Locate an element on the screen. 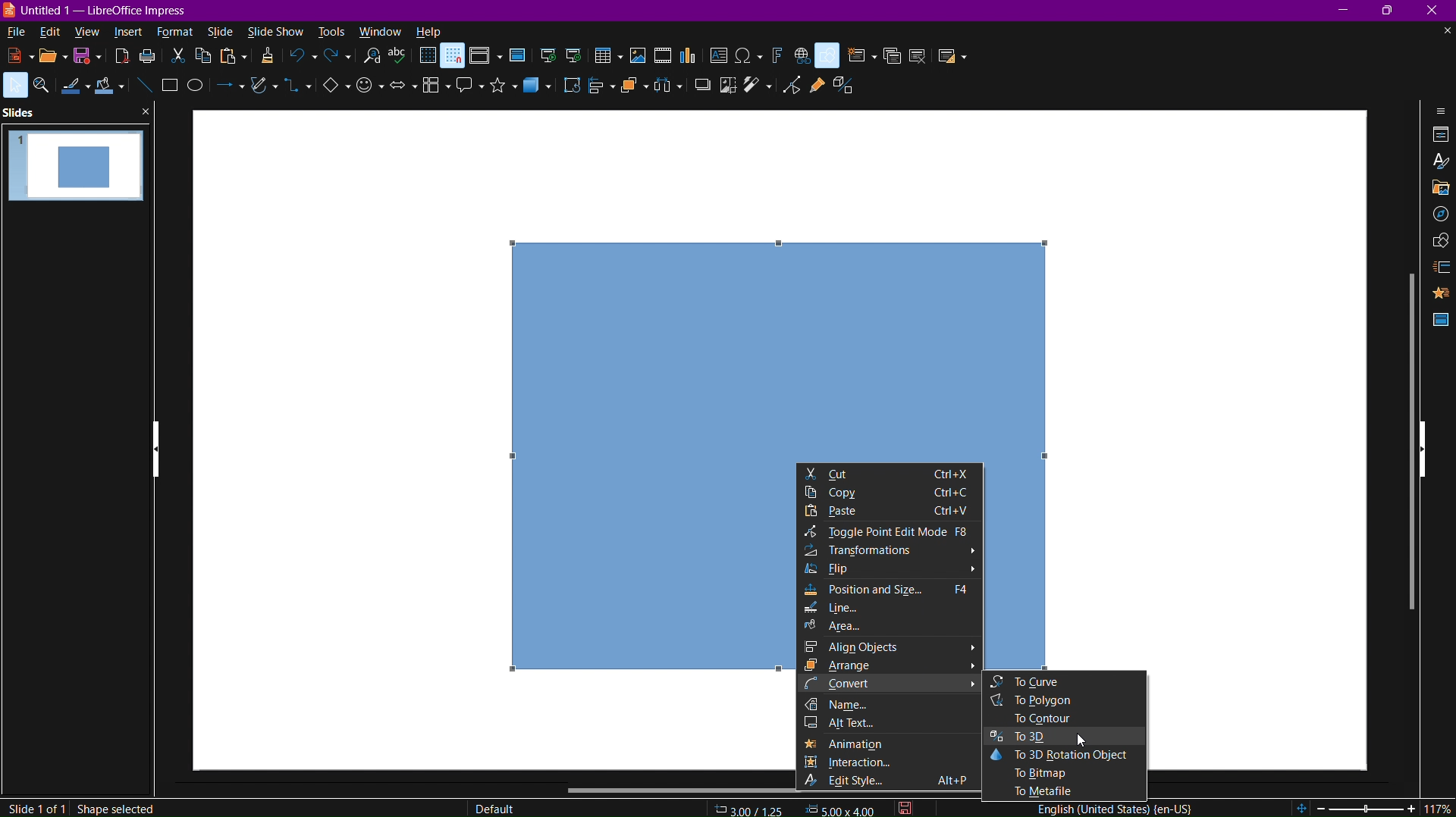  Insert Image is located at coordinates (639, 57).